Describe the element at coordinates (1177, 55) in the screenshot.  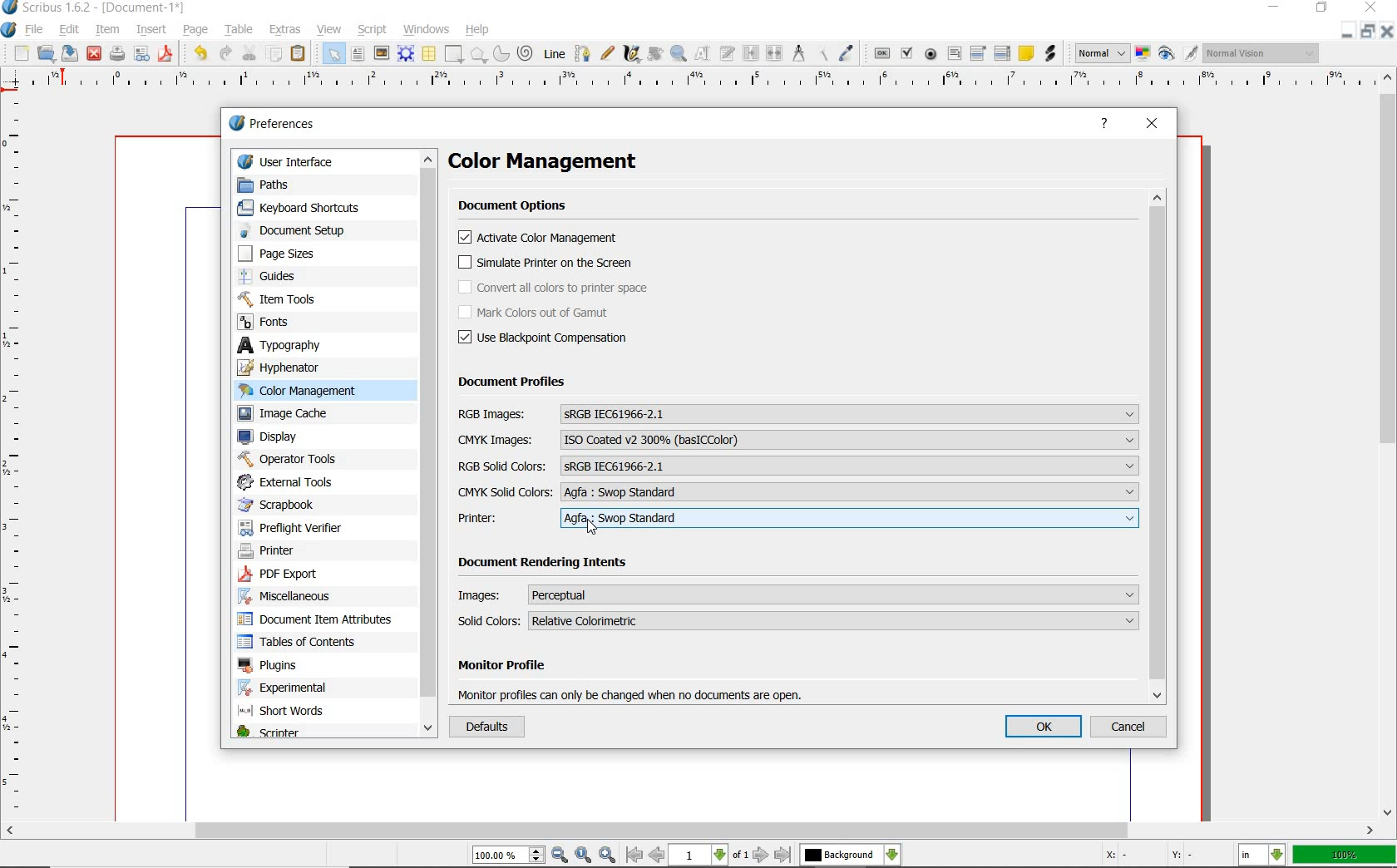
I see `preview mode` at that location.